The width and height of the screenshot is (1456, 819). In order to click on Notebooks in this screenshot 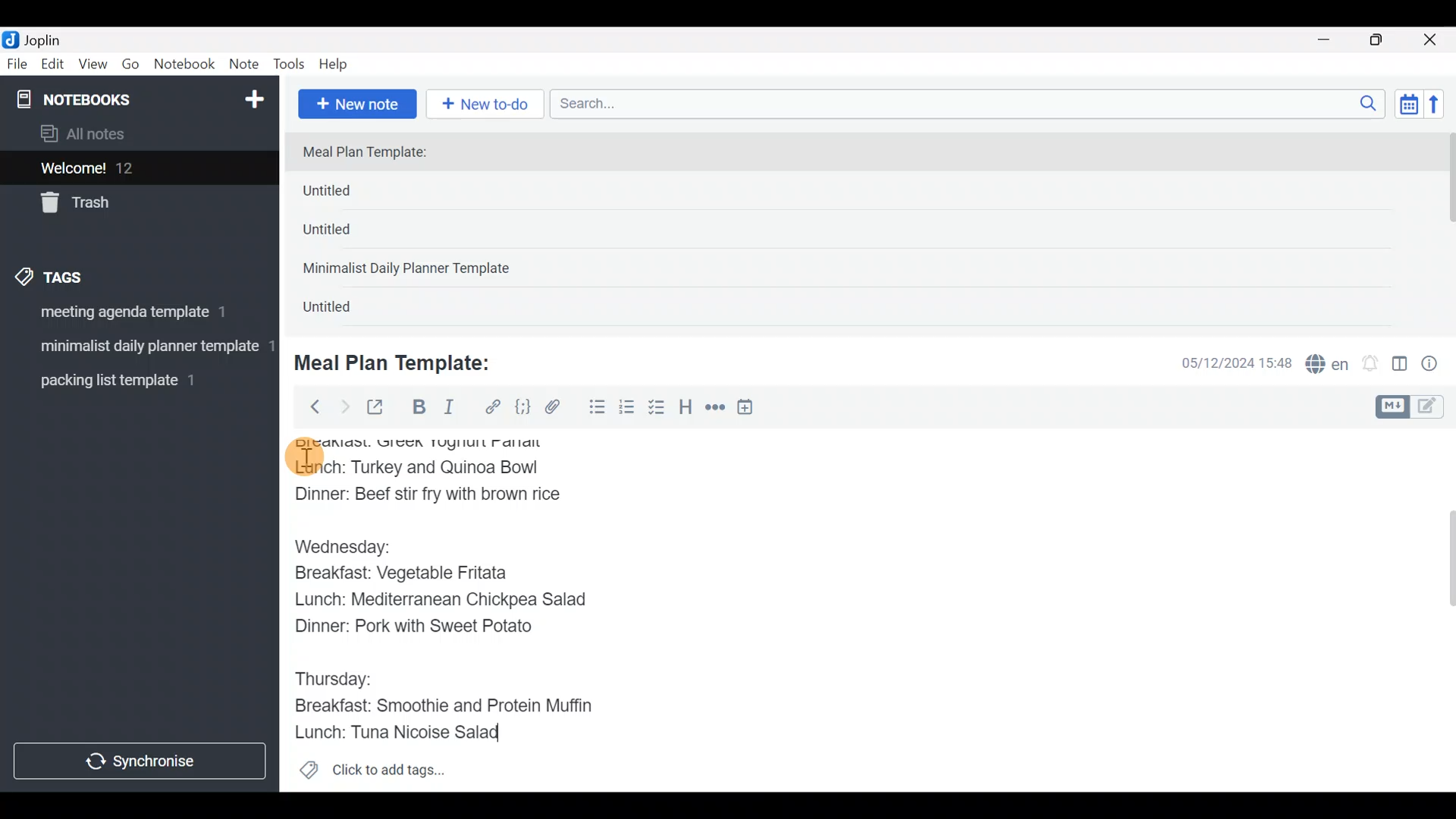, I will do `click(107, 99)`.